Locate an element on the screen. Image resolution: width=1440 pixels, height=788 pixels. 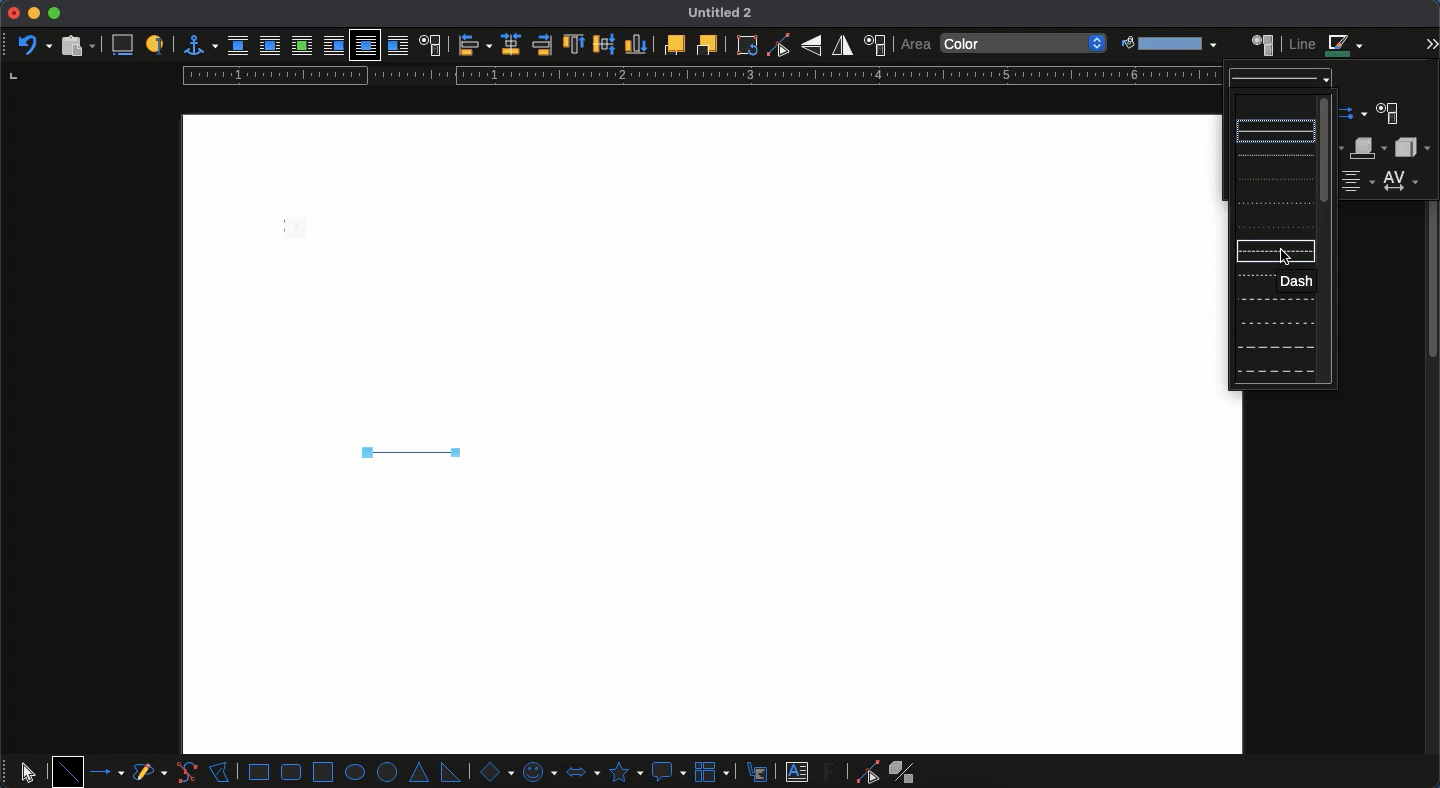
continuous is located at coordinates (1277, 130).